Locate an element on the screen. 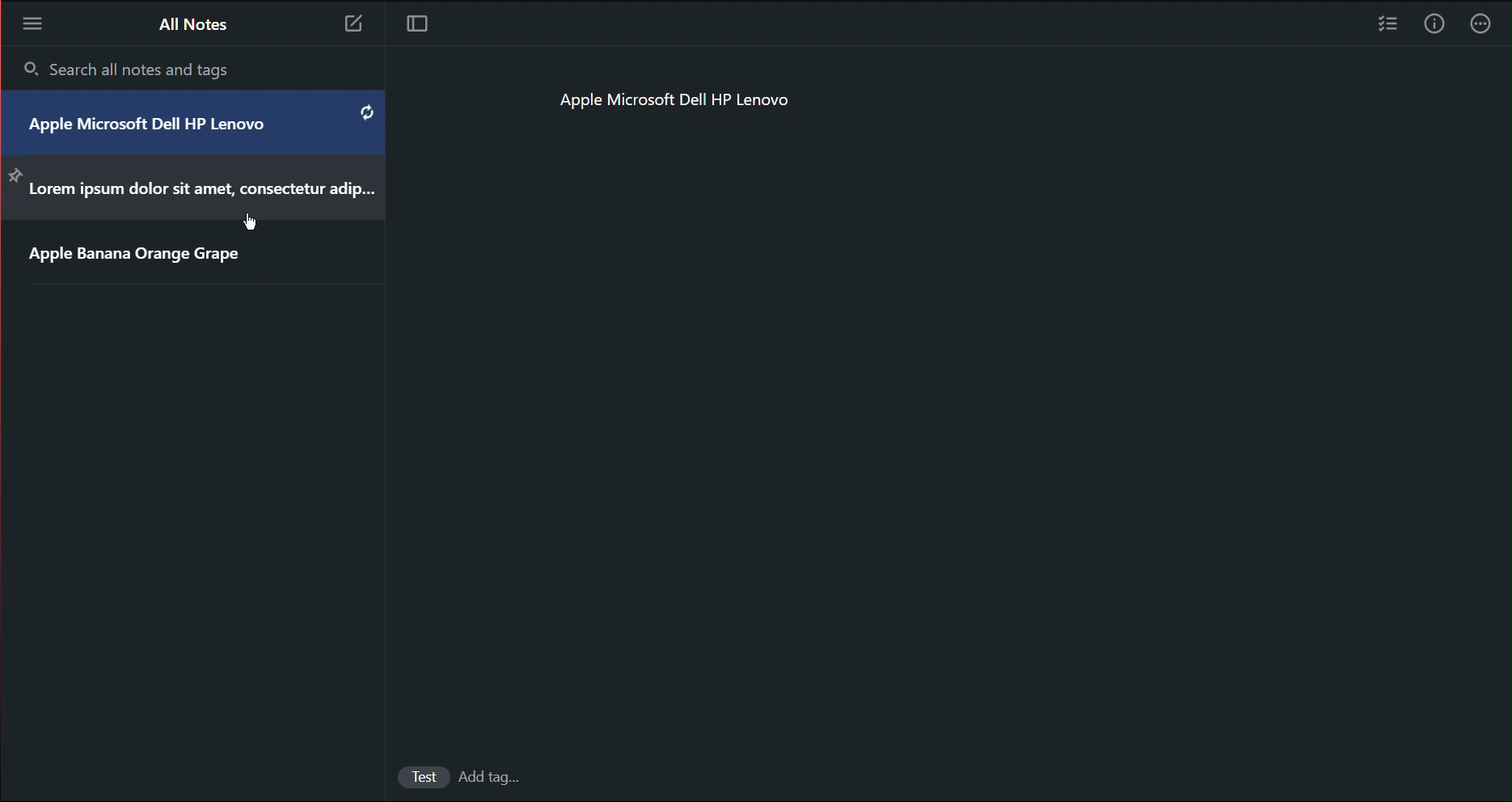 Image resolution: width=1512 pixels, height=802 pixels. Pin is located at coordinates (14, 175).